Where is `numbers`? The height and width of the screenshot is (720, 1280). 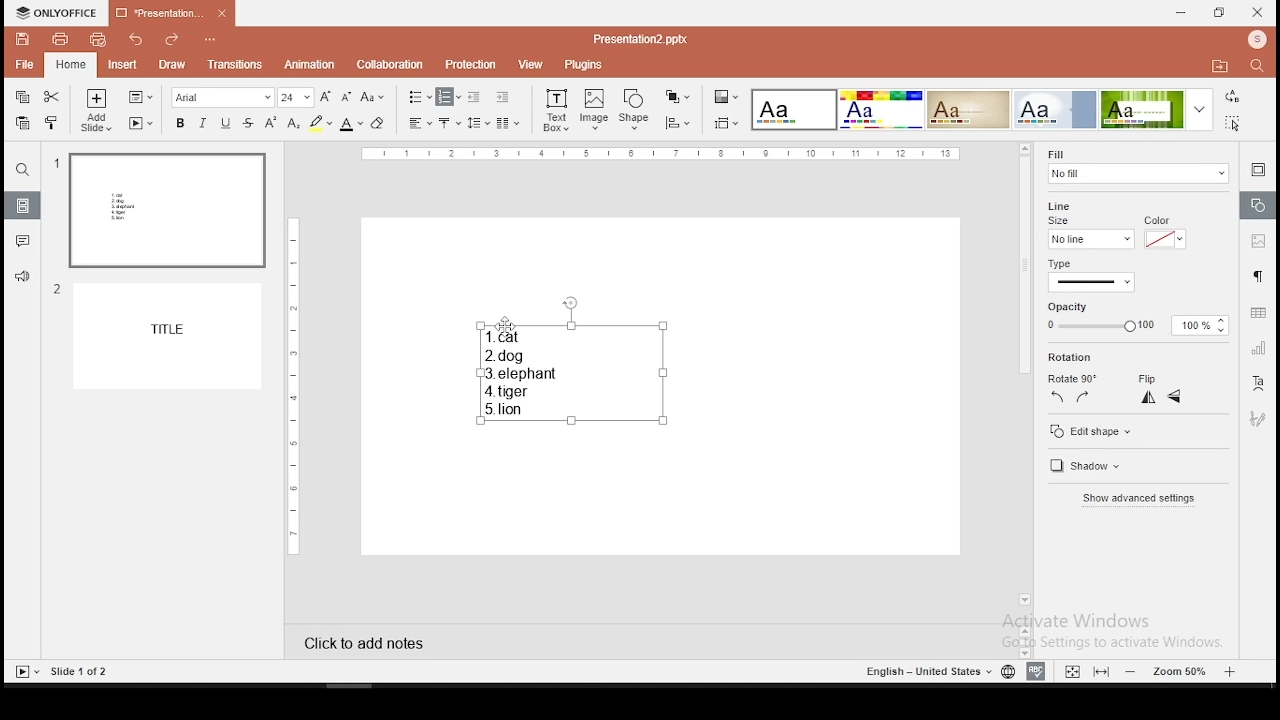 numbers is located at coordinates (55, 233).